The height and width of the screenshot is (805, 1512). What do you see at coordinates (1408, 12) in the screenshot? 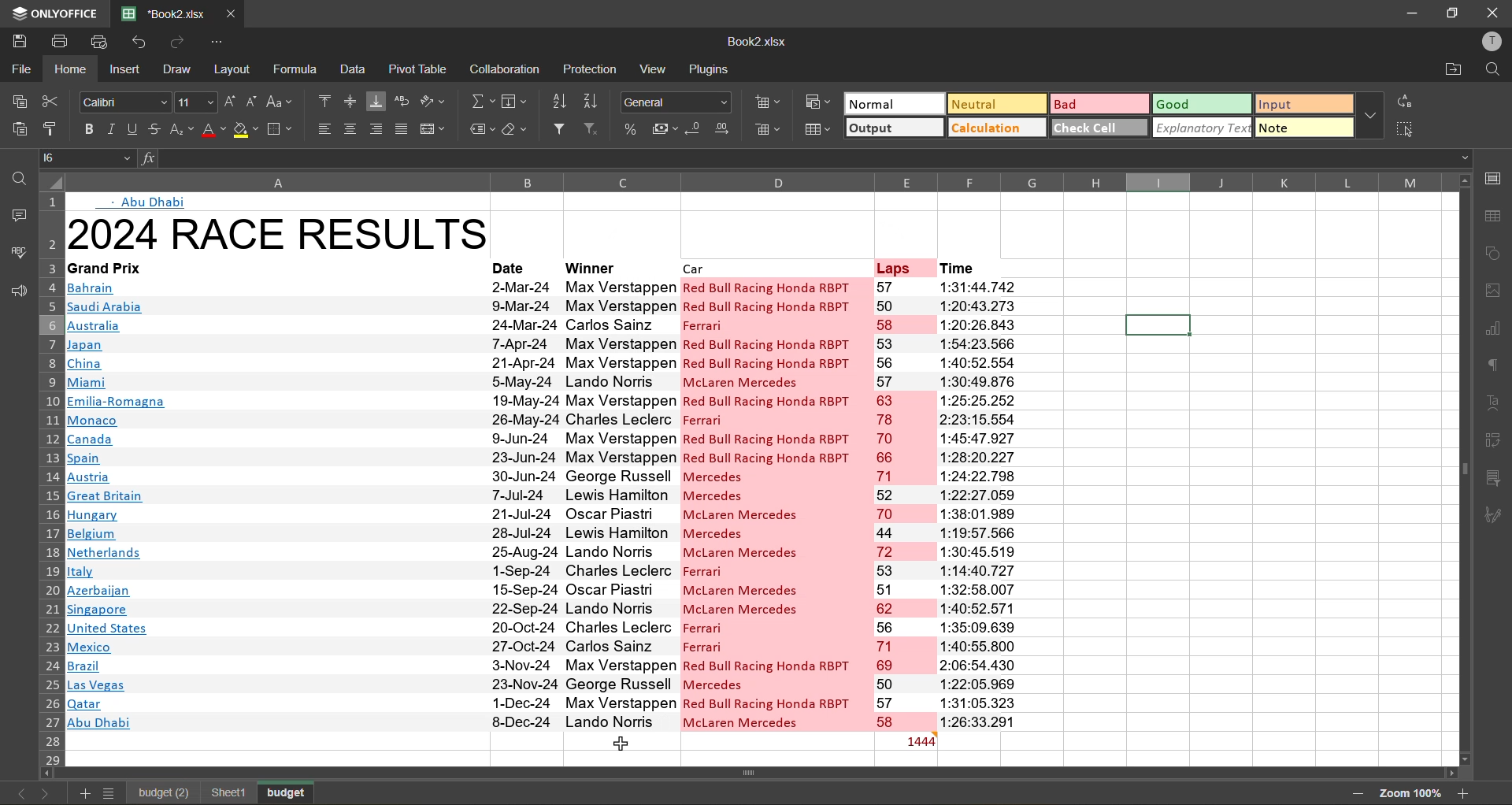
I see `minimize` at bounding box center [1408, 12].